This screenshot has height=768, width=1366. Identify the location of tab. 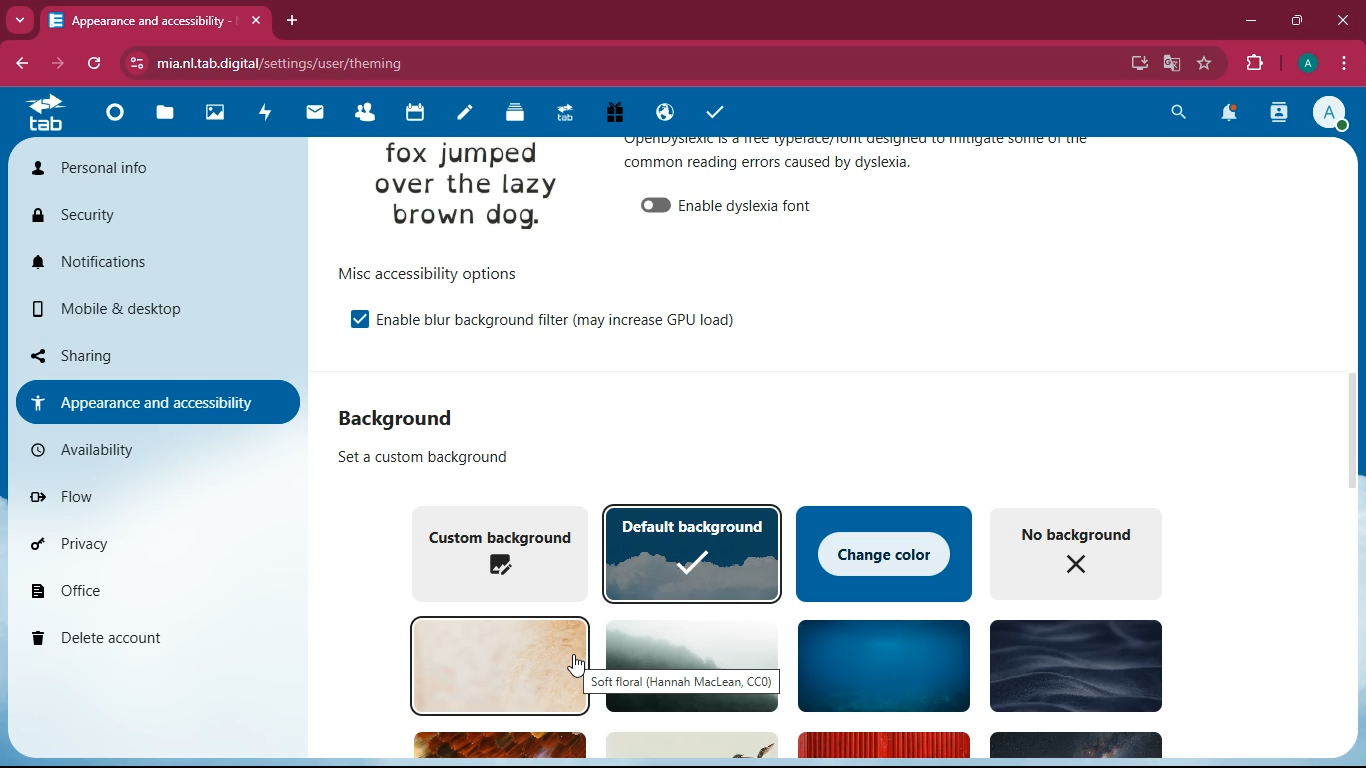
(561, 116).